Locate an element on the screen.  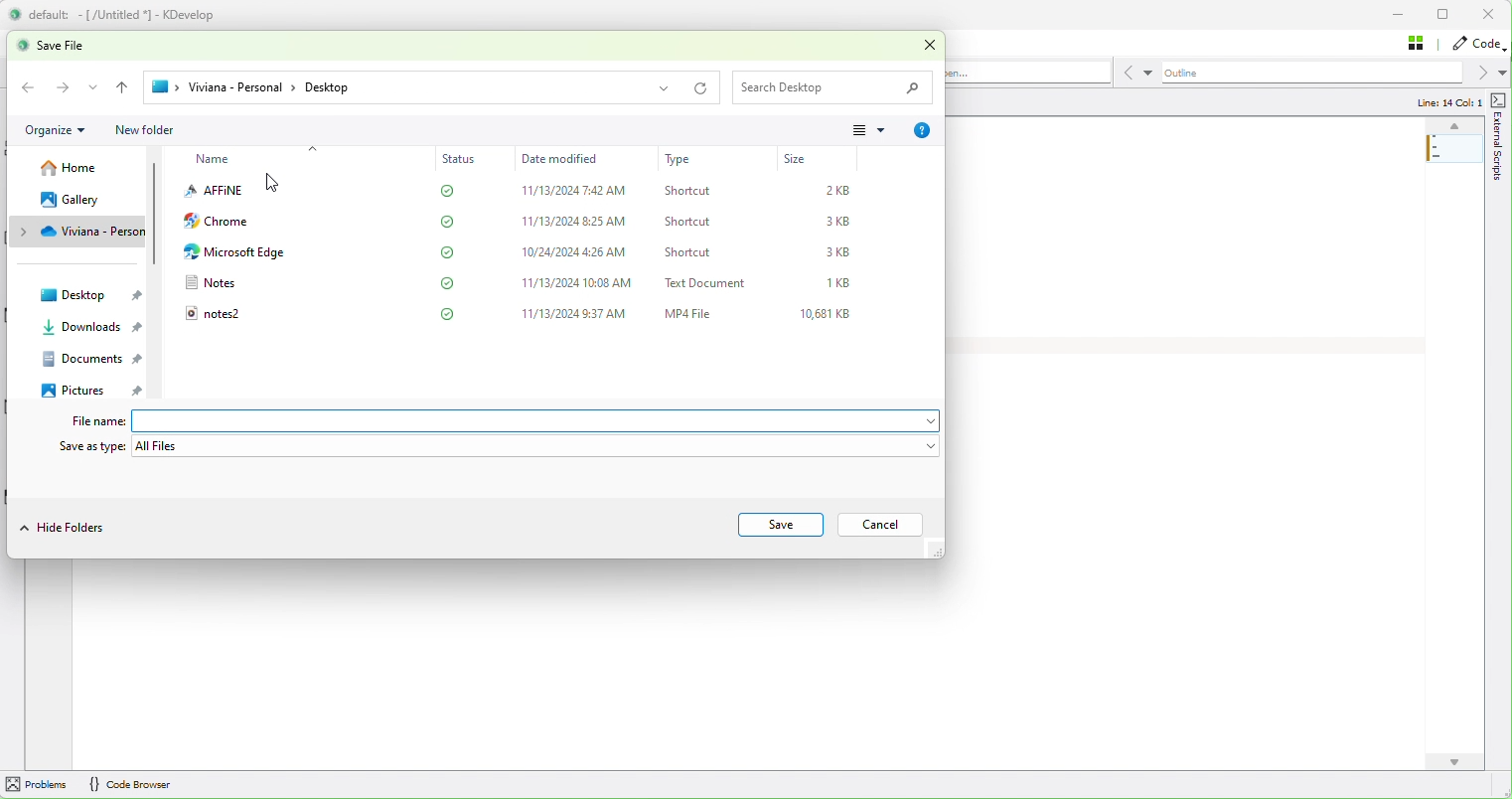
MP4 File is located at coordinates (689, 312).